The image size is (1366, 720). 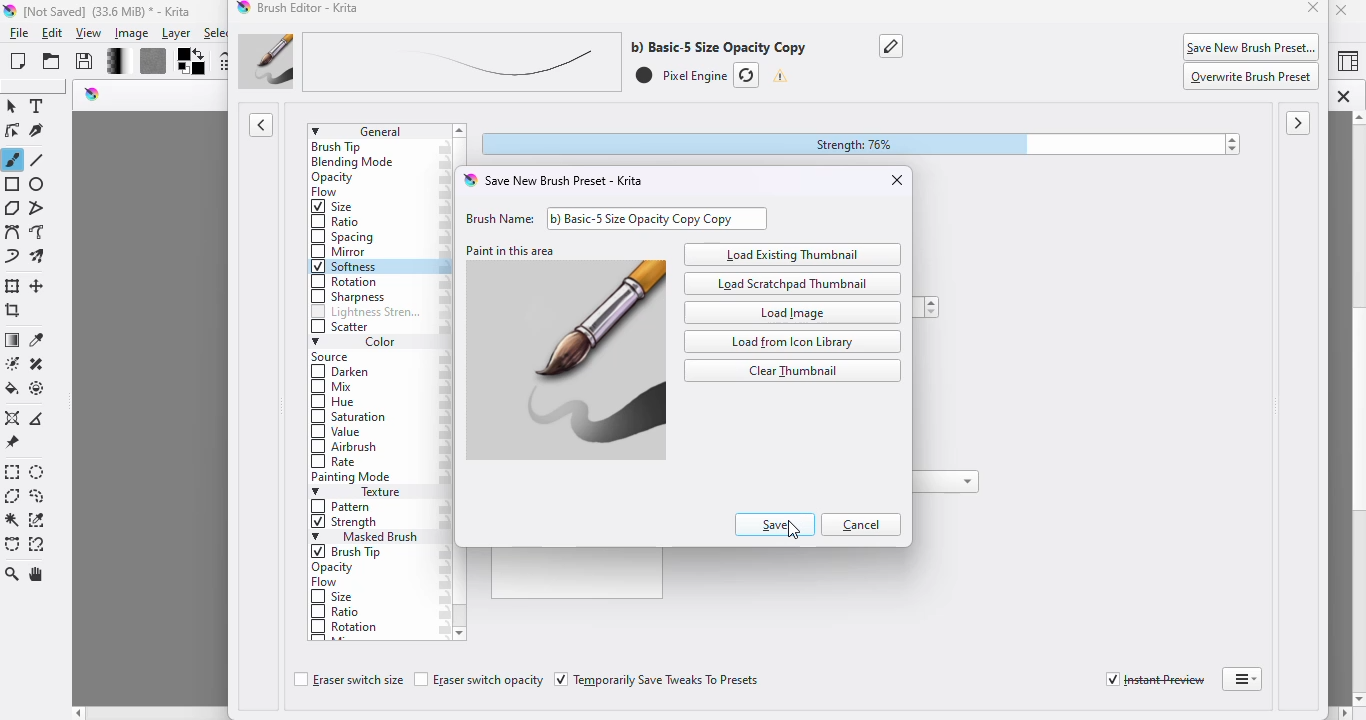 I want to click on source, so click(x=334, y=358).